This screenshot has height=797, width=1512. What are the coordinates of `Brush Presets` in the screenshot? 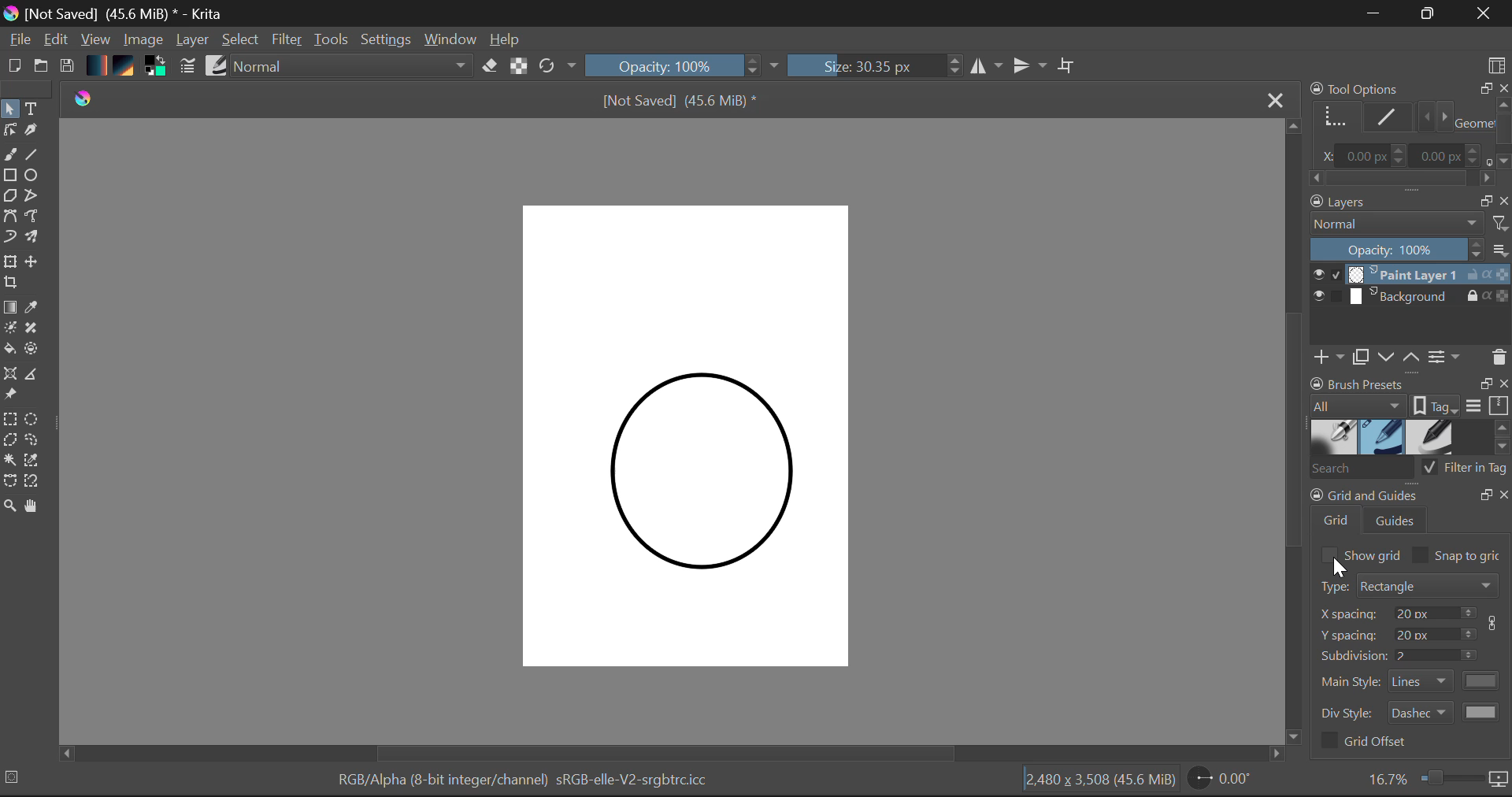 It's located at (1410, 437).